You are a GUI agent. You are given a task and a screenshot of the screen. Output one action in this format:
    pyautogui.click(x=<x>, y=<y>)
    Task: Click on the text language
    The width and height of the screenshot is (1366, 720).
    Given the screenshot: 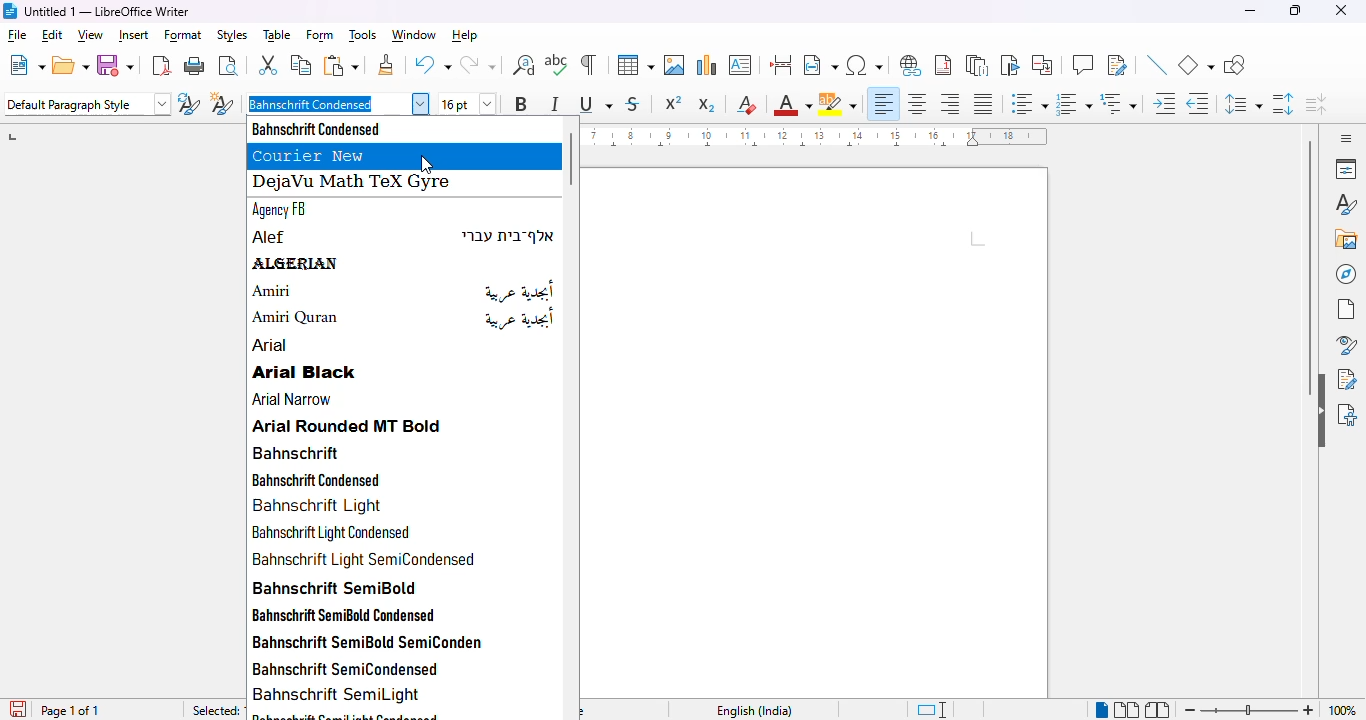 What is the action you would take?
    pyautogui.click(x=750, y=710)
    